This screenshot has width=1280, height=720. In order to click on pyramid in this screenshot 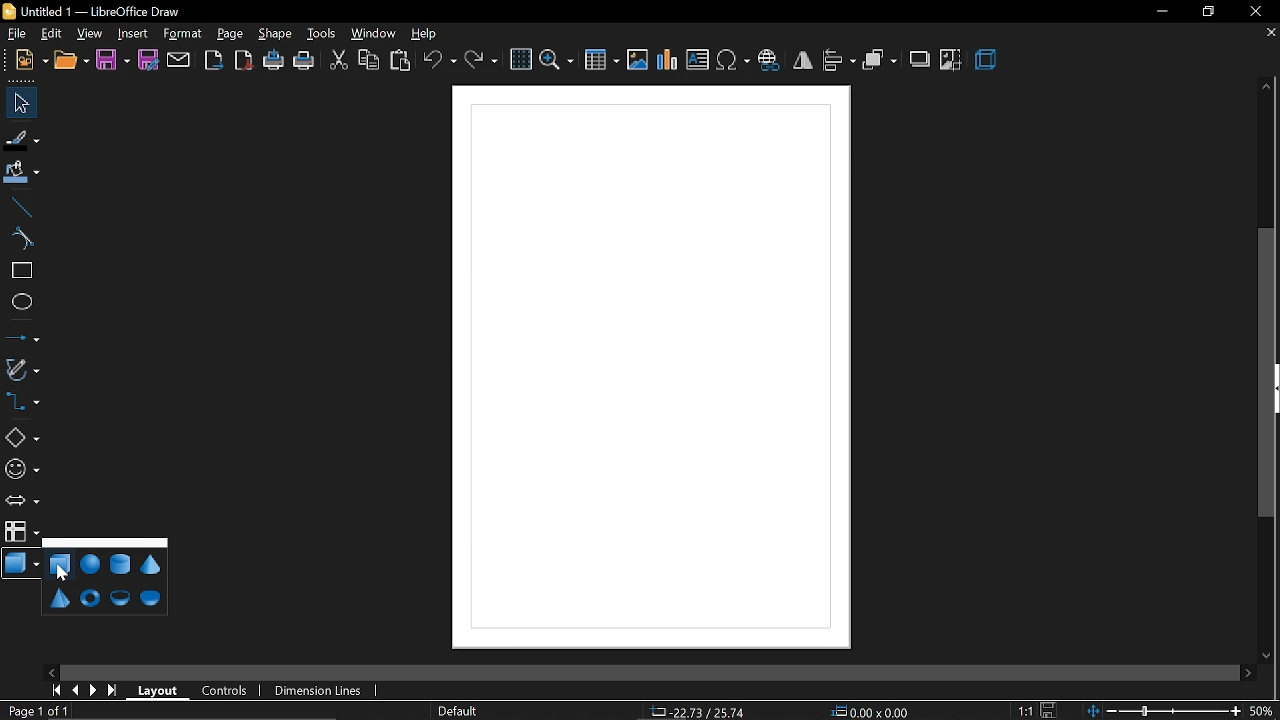, I will do `click(60, 600)`.